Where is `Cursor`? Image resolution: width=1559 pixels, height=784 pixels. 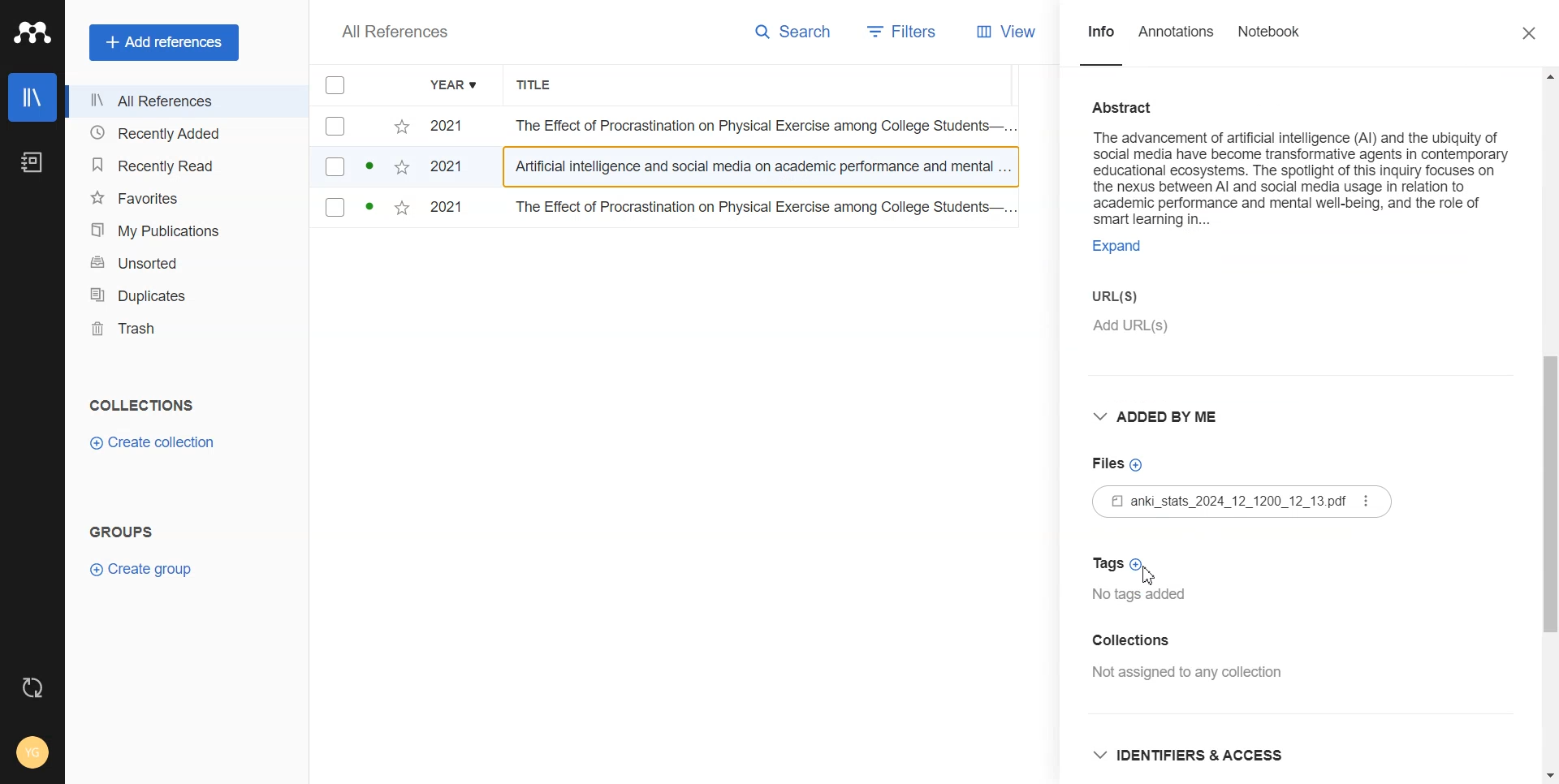 Cursor is located at coordinates (1151, 575).